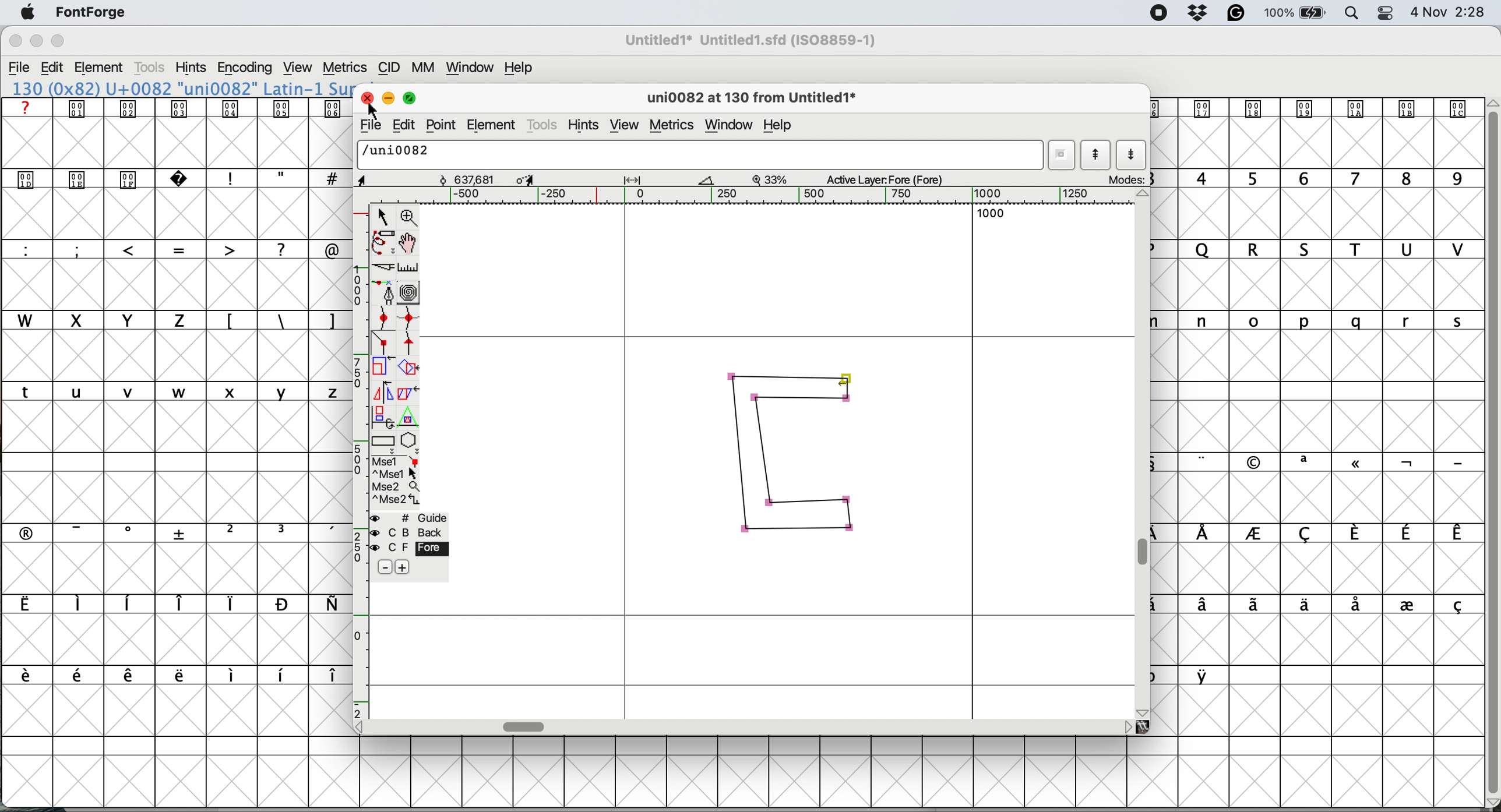  Describe the element at coordinates (401, 567) in the screenshot. I see `add` at that location.